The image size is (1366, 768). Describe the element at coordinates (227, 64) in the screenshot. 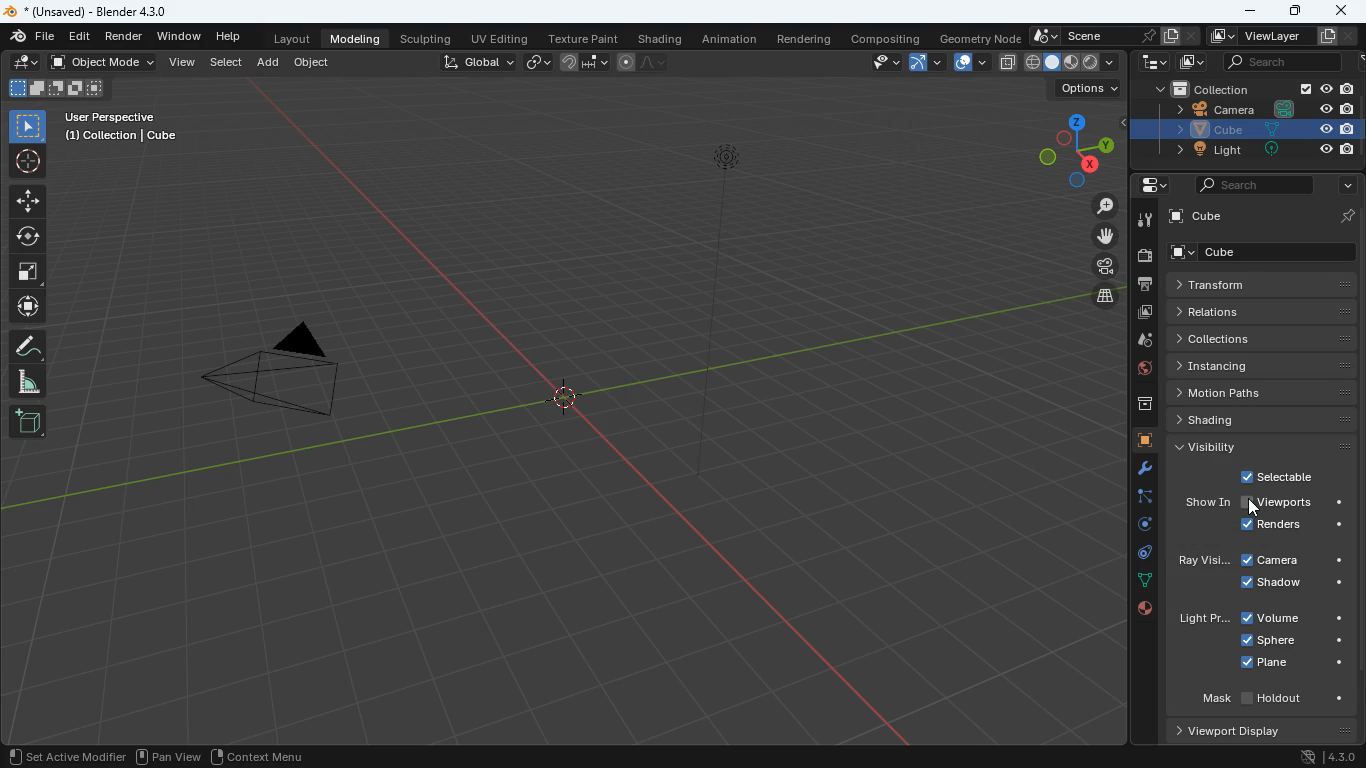

I see `select` at that location.